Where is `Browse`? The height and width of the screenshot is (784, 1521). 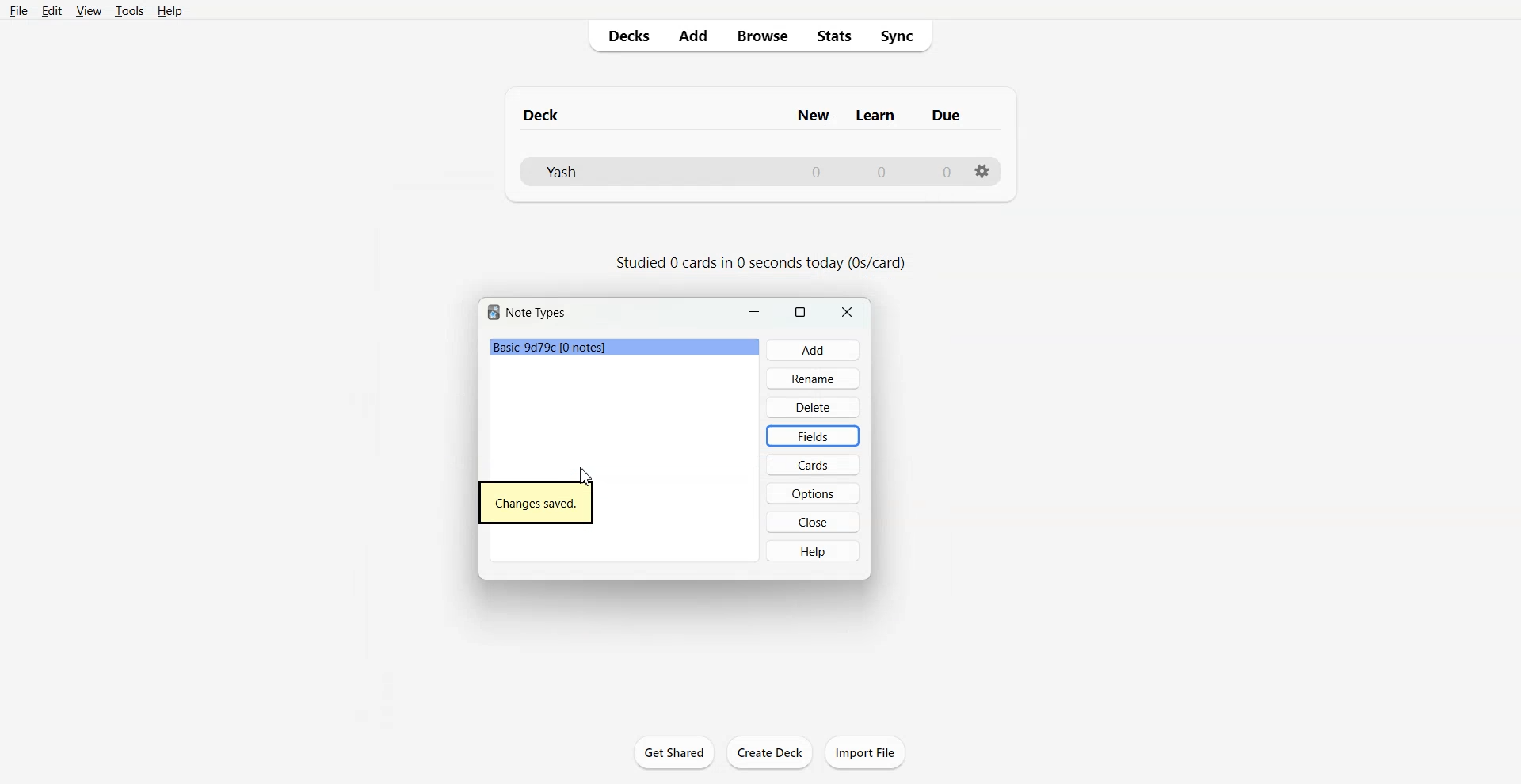
Browse is located at coordinates (761, 36).